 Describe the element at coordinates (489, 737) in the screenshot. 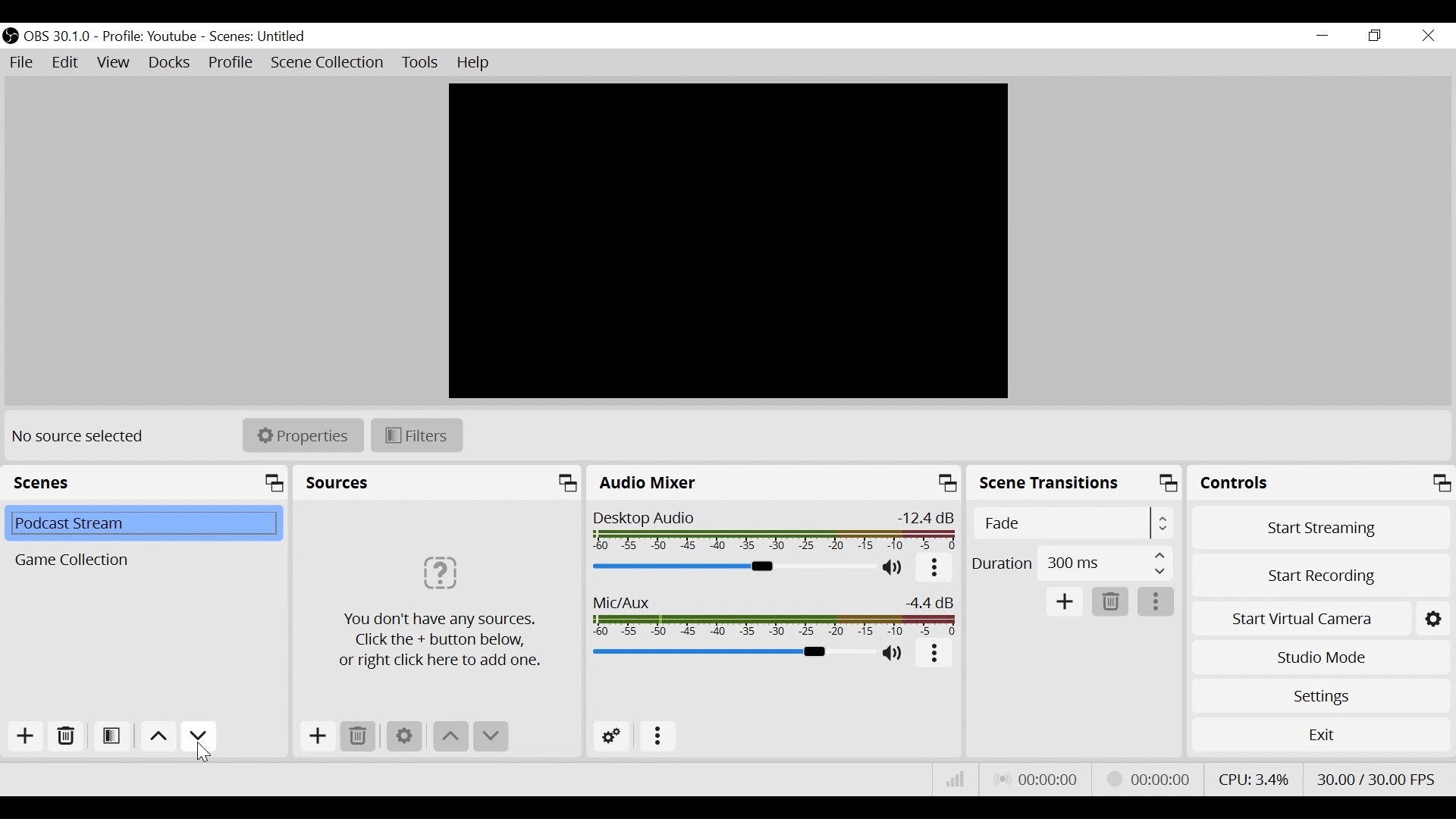

I see `Move down` at that location.